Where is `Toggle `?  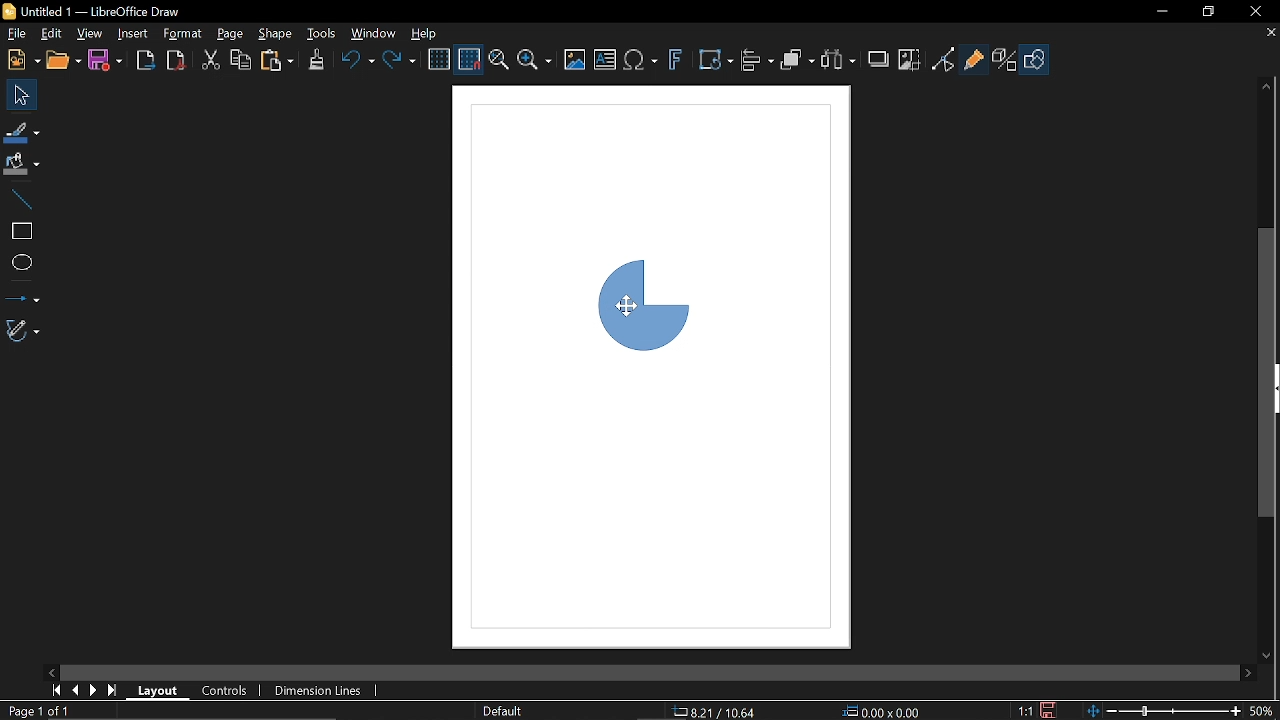 Toggle  is located at coordinates (943, 59).